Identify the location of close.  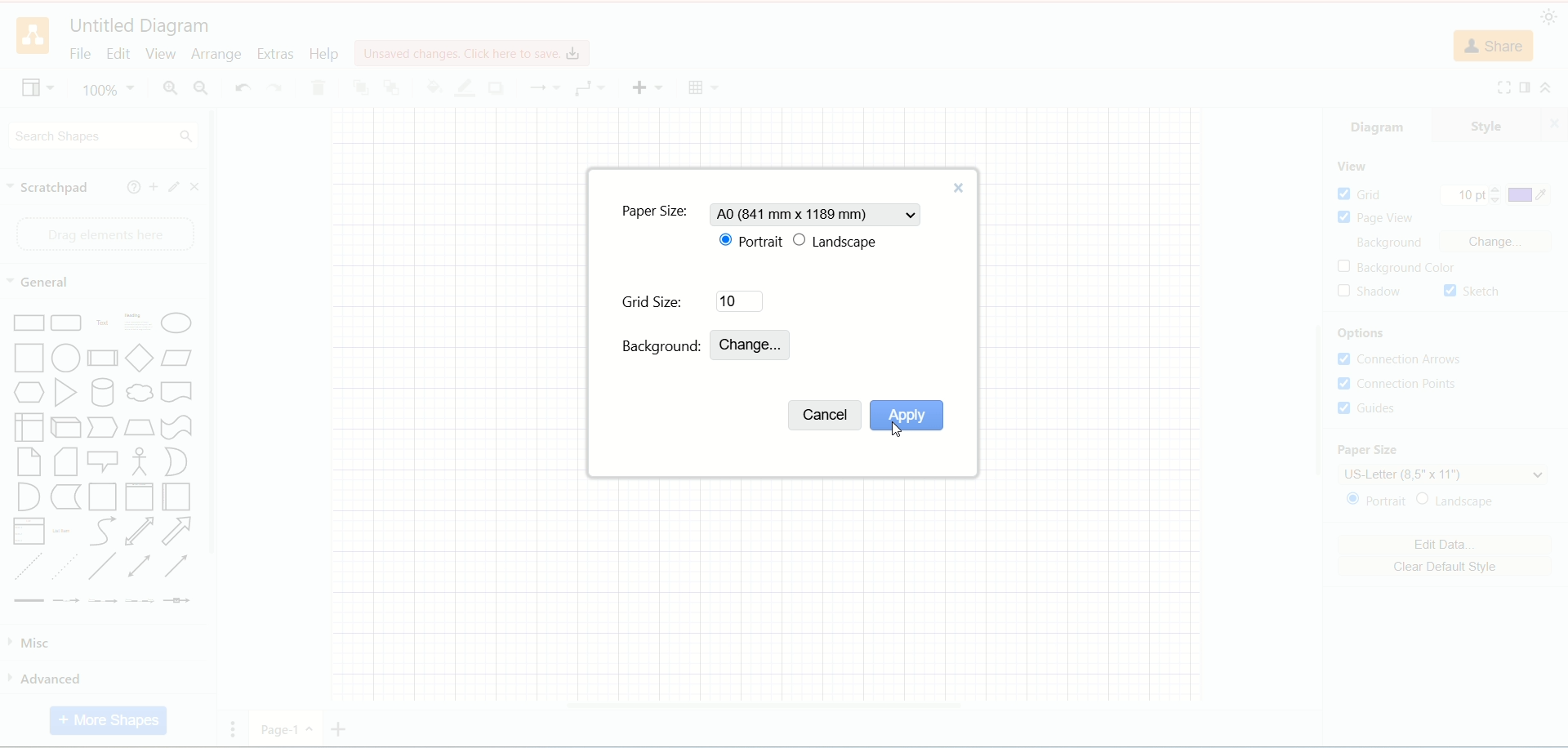
(198, 186).